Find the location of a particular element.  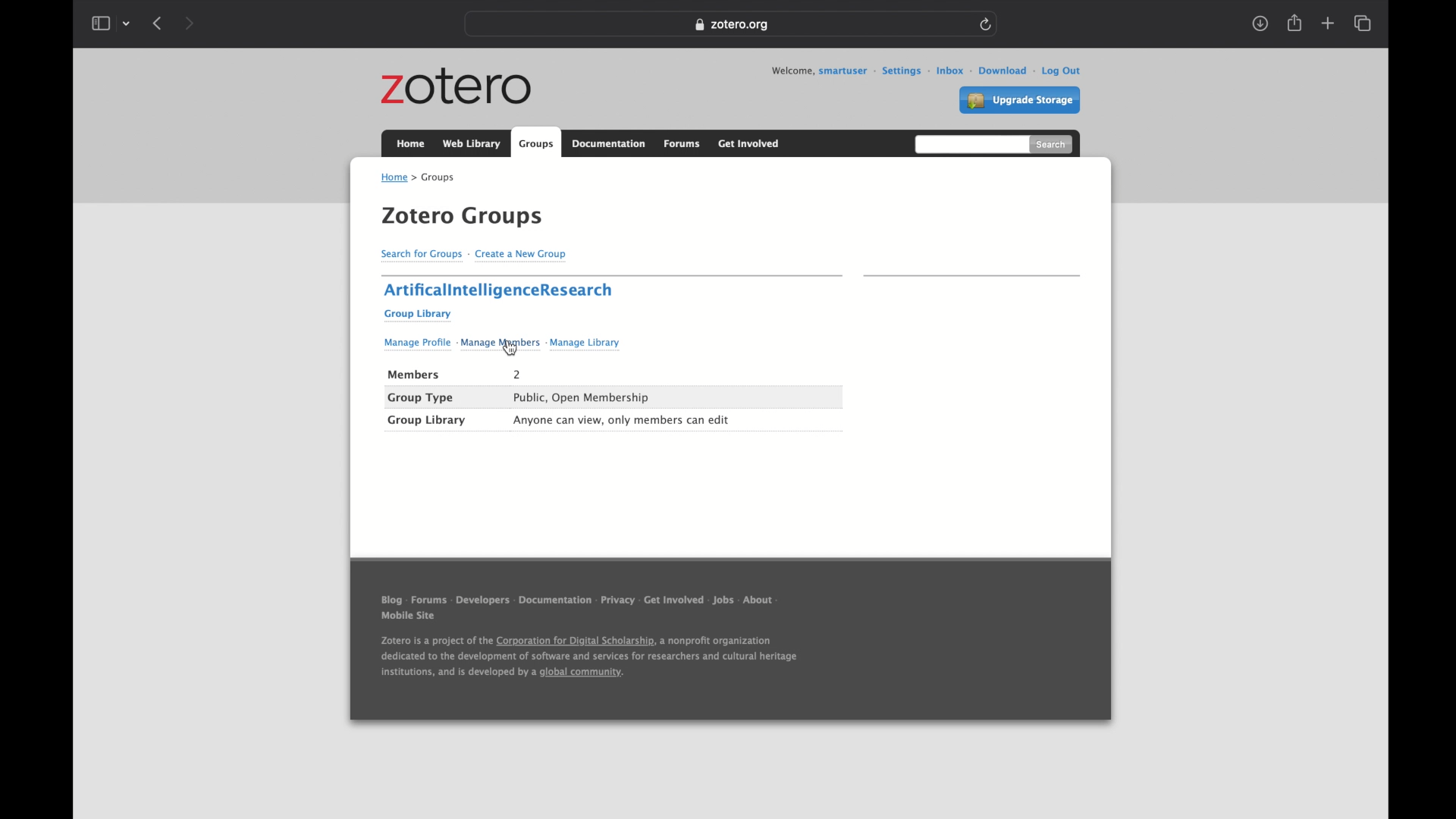

blog is located at coordinates (391, 599).